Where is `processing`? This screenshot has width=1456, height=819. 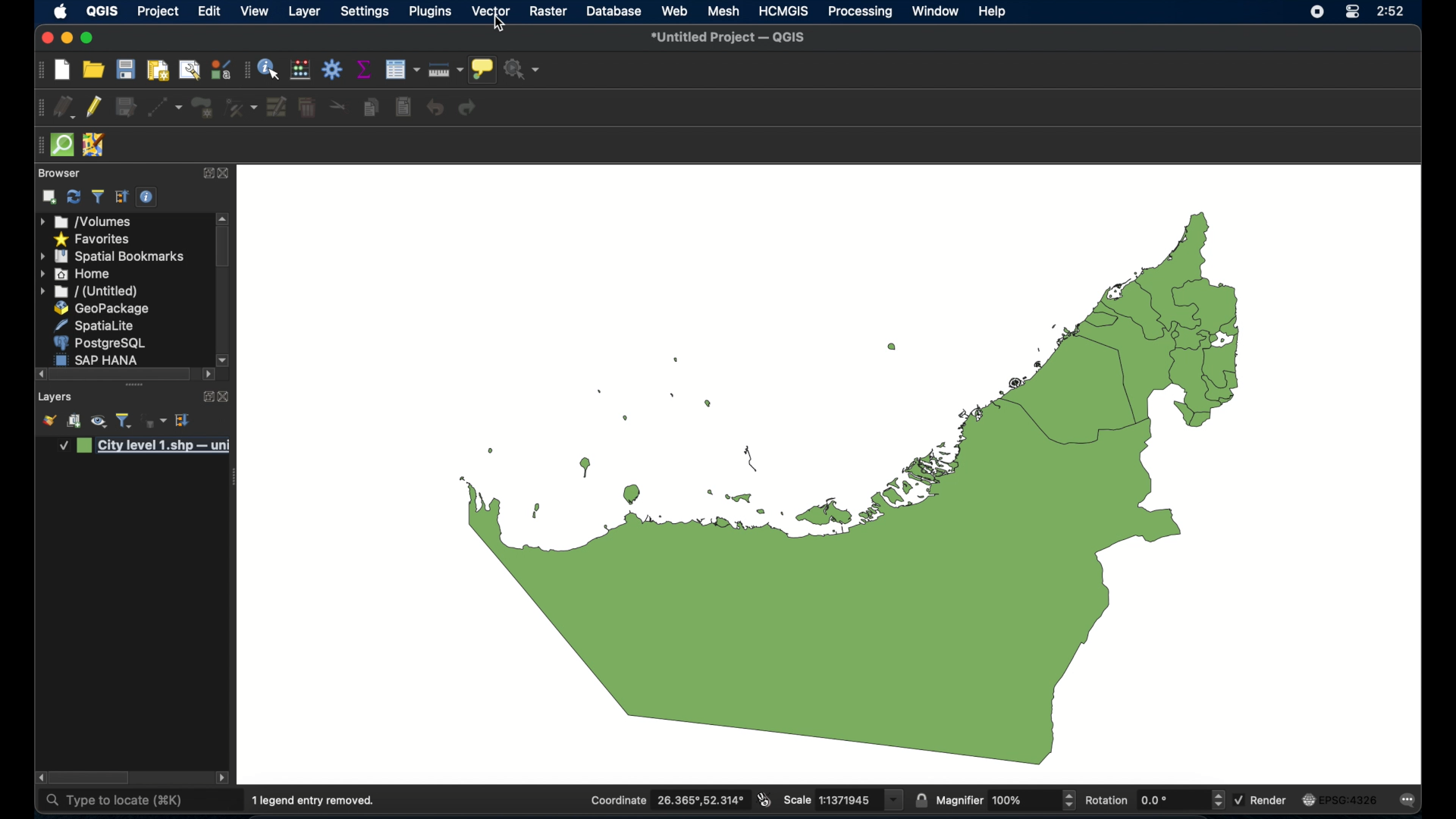
processing is located at coordinates (859, 12).